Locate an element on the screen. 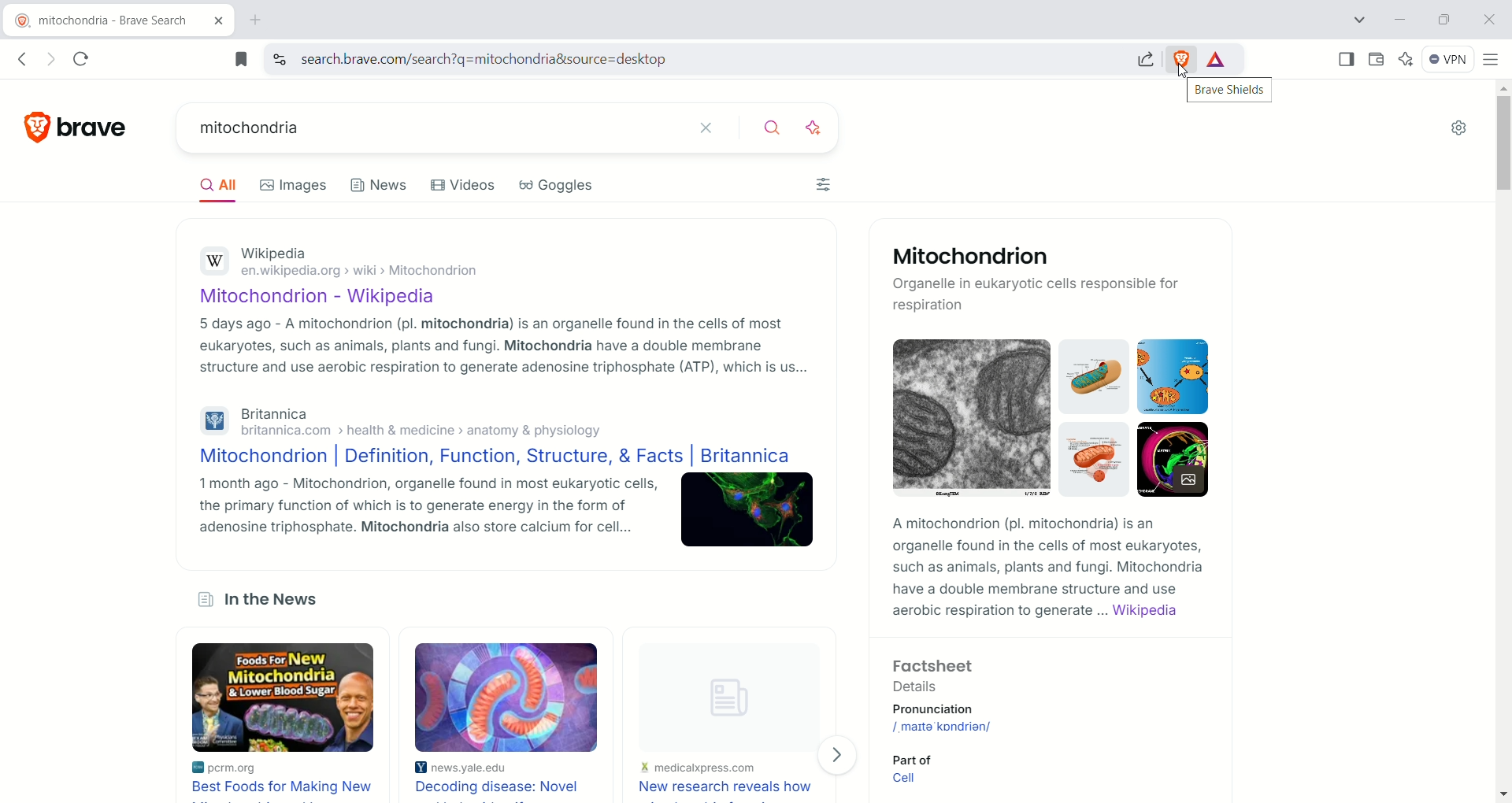 The width and height of the screenshot is (1512, 803). Cell is located at coordinates (912, 779).